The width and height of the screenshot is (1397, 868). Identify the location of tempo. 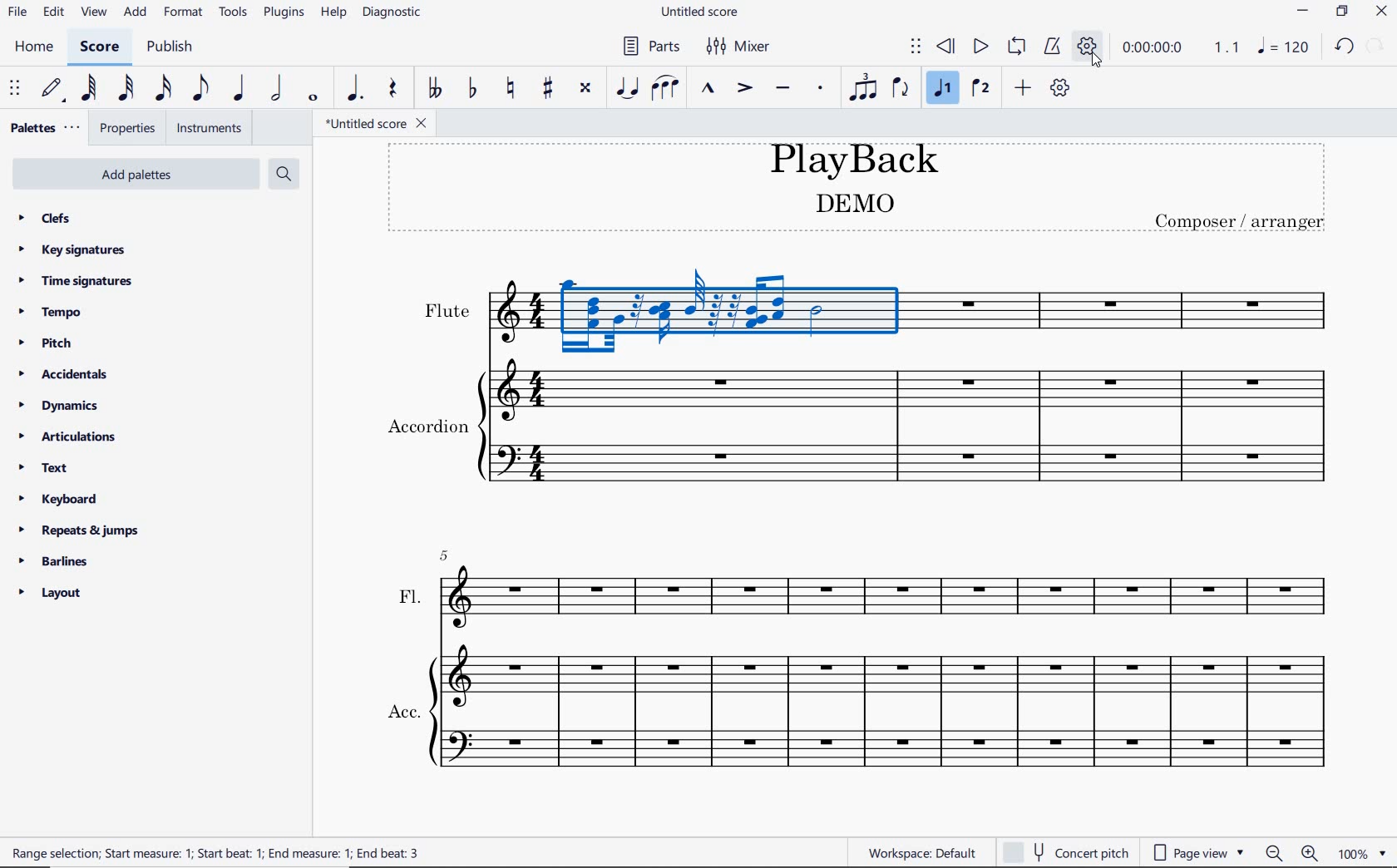
(49, 311).